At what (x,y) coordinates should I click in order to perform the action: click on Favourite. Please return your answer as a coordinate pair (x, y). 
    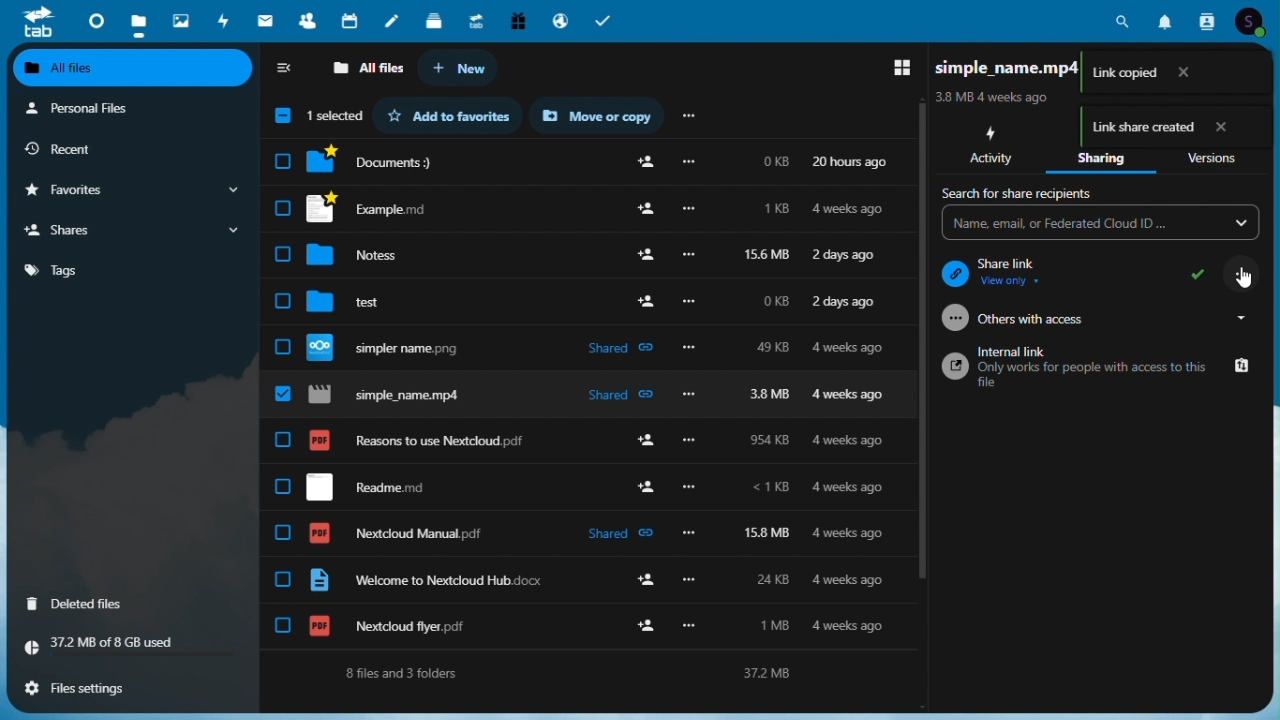
    Looking at the image, I should click on (131, 190).